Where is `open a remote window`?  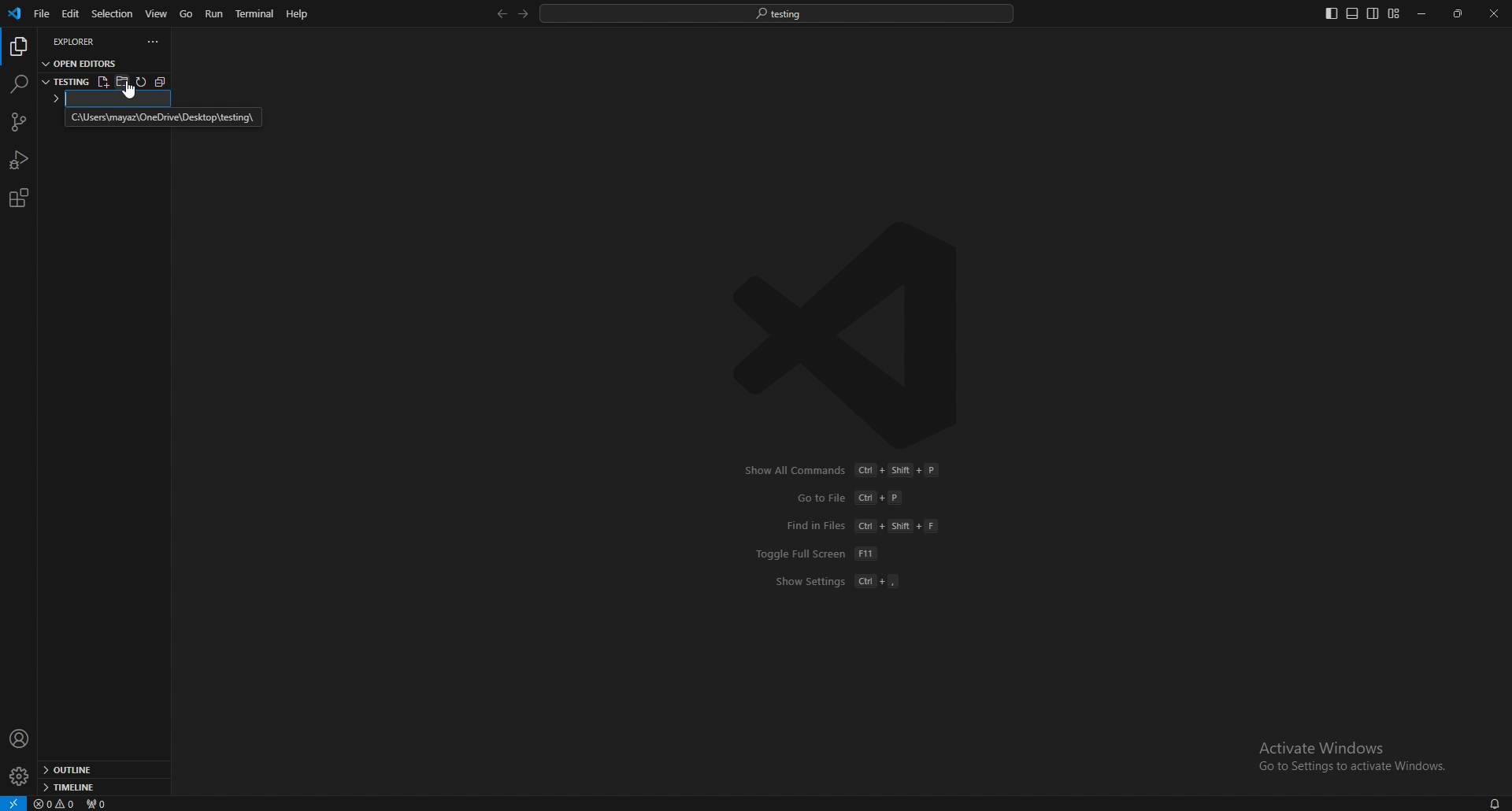 open a remote window is located at coordinates (13, 802).